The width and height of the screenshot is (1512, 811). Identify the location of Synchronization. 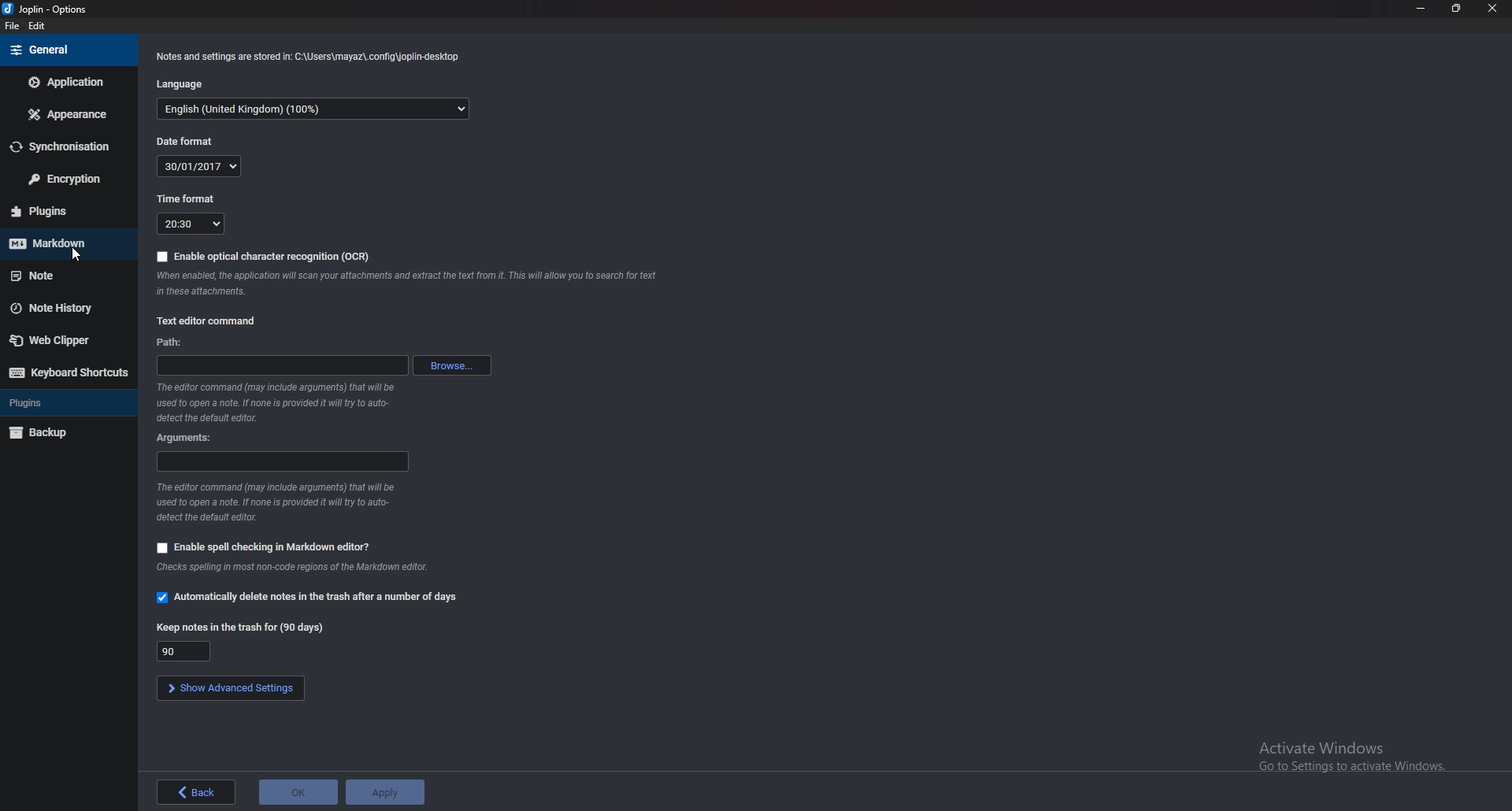
(63, 146).